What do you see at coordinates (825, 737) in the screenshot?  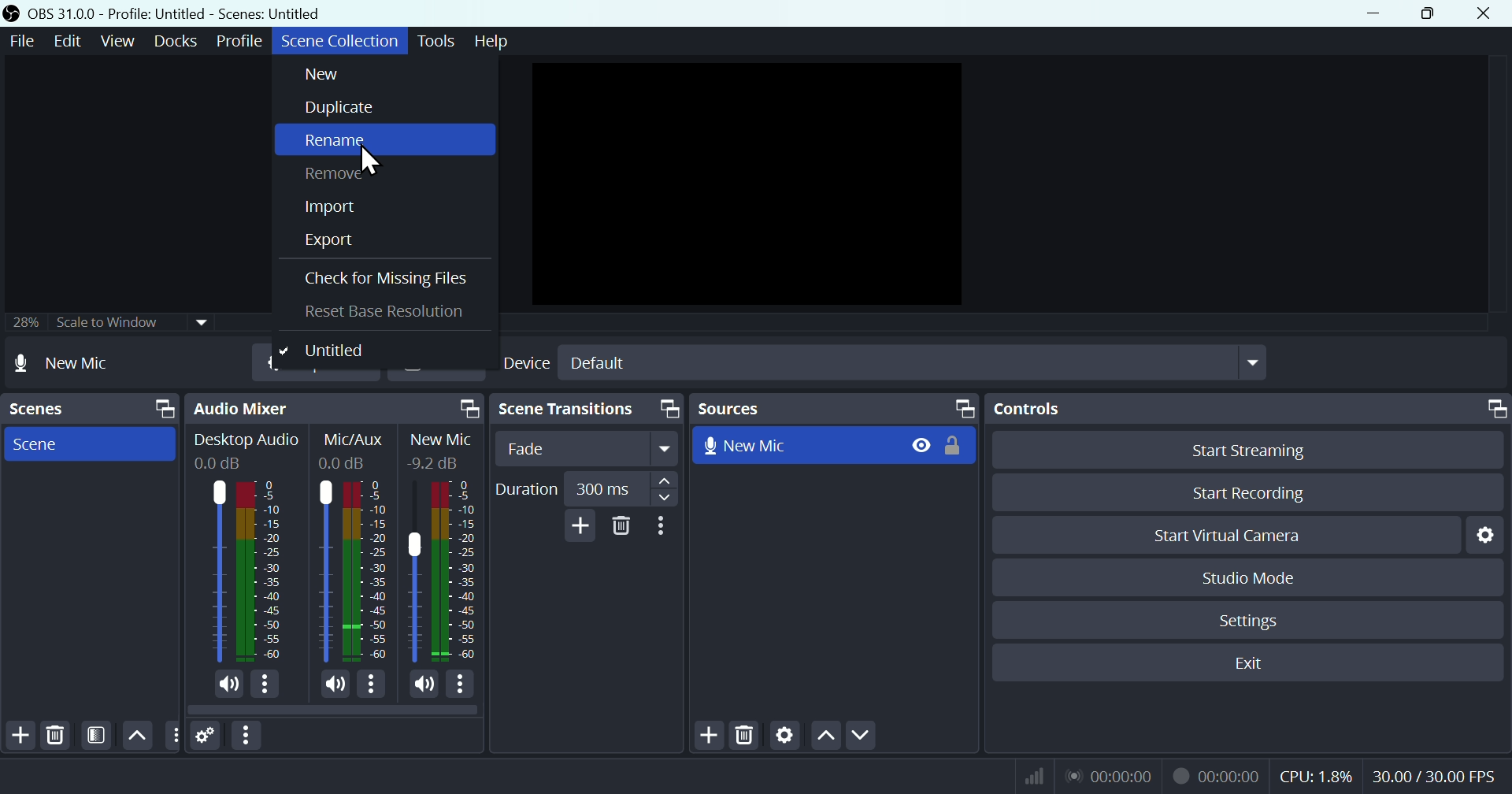 I see `up` at bounding box center [825, 737].